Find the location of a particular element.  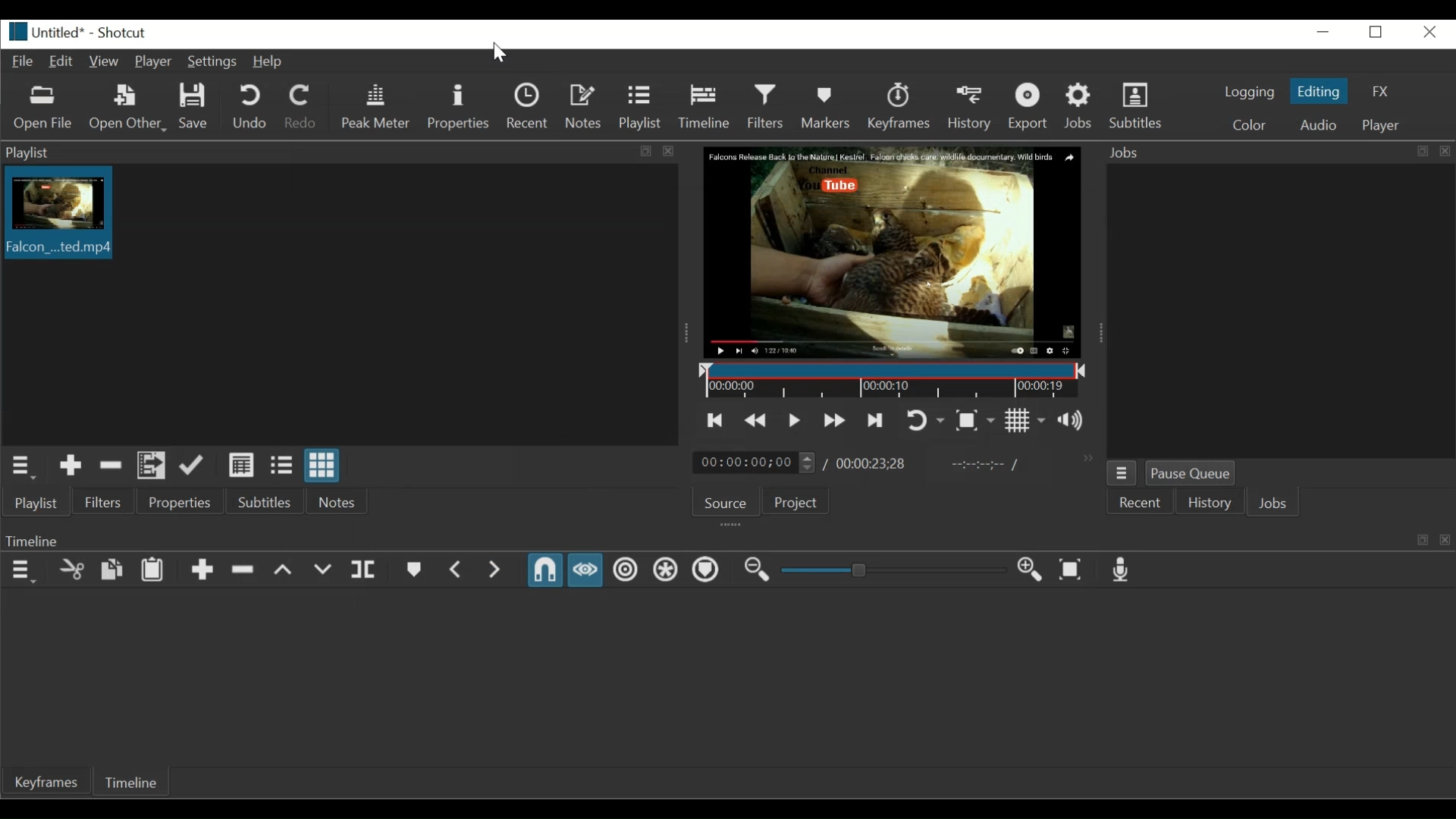

Export is located at coordinates (1031, 108).